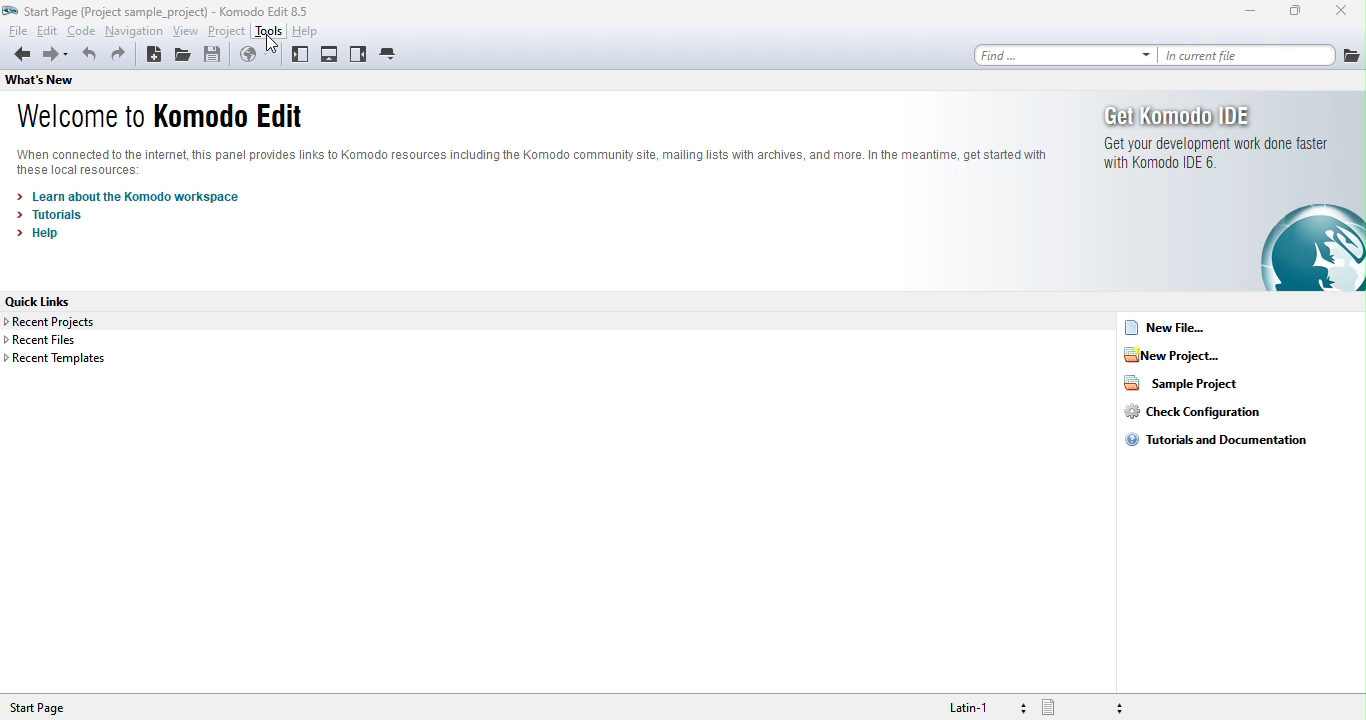  What do you see at coordinates (358, 56) in the screenshot?
I see `right pane` at bounding box center [358, 56].